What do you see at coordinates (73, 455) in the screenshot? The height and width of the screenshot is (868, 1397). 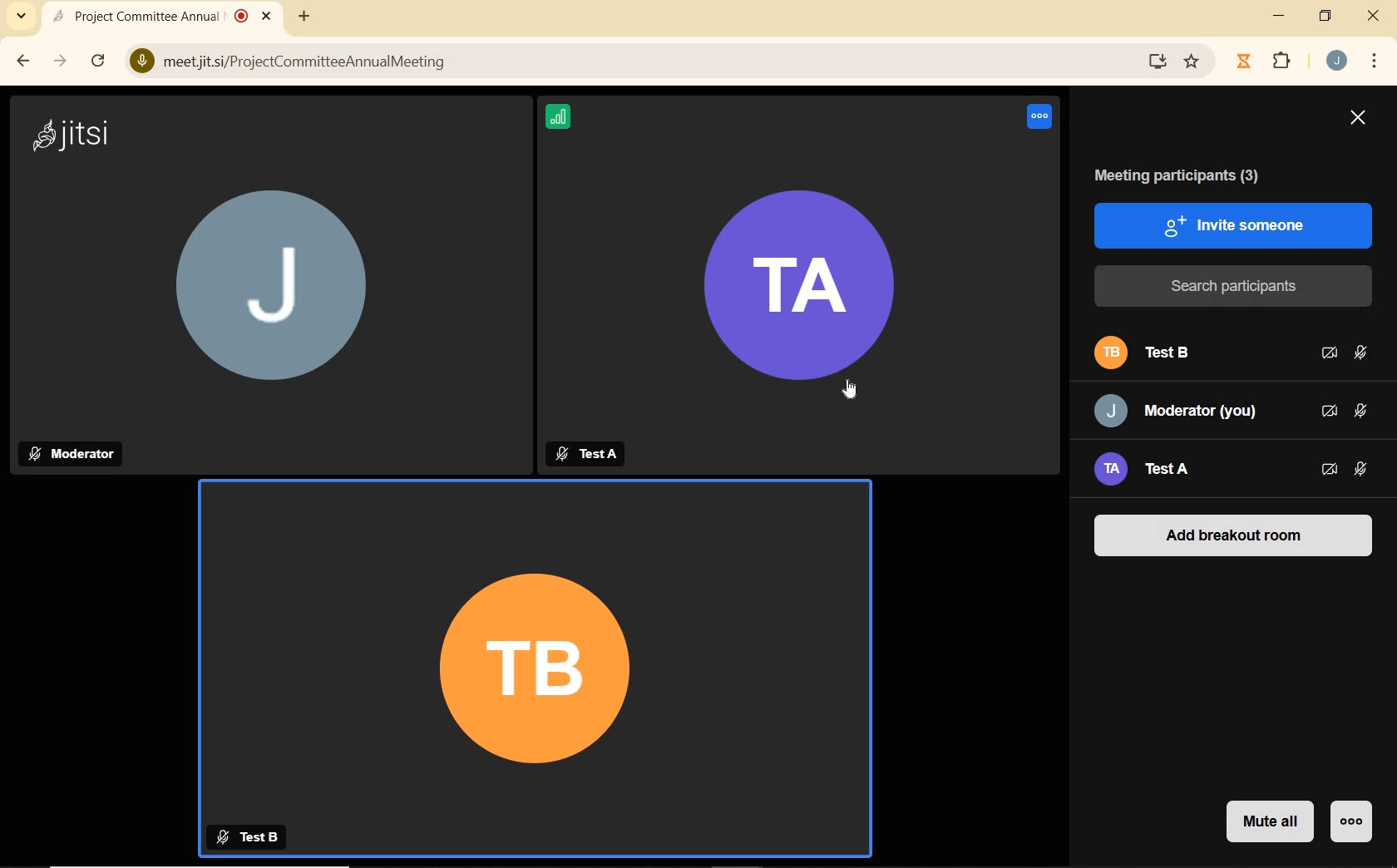 I see `Moderator` at bounding box center [73, 455].